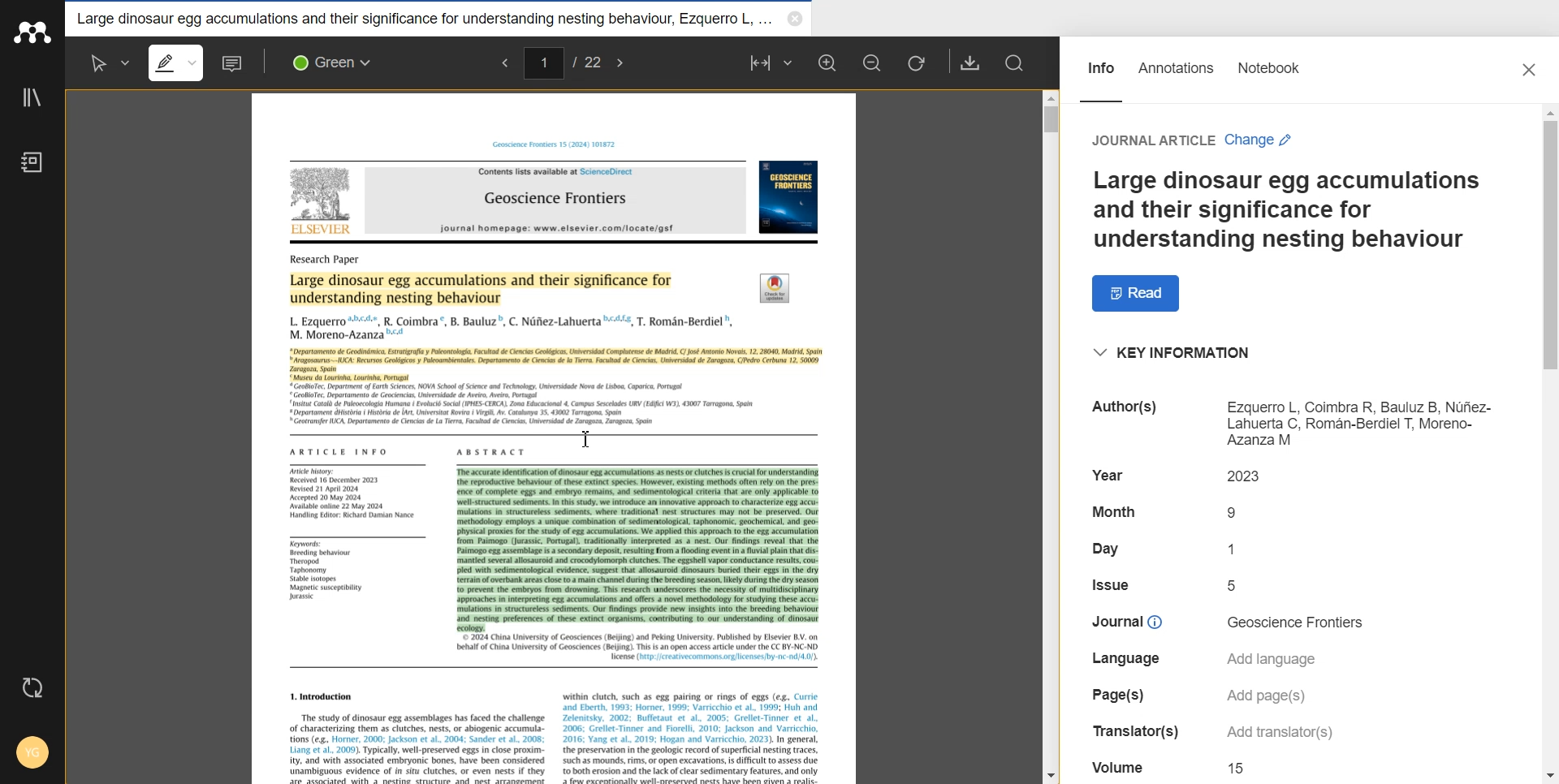  I want to click on Annotations, so click(1177, 77).